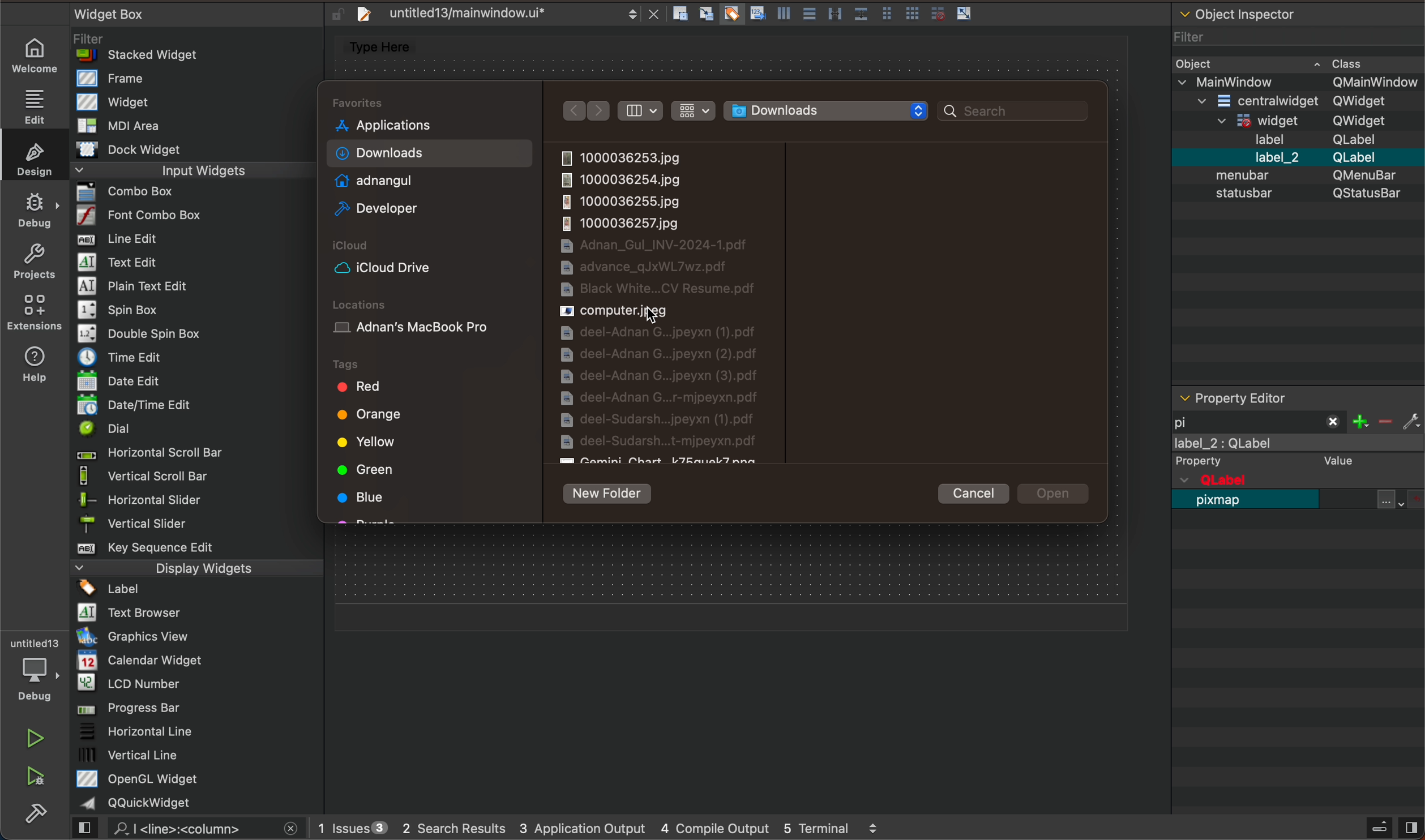 Image resolution: width=1425 pixels, height=840 pixels. What do you see at coordinates (370, 299) in the screenshot?
I see `locations` at bounding box center [370, 299].